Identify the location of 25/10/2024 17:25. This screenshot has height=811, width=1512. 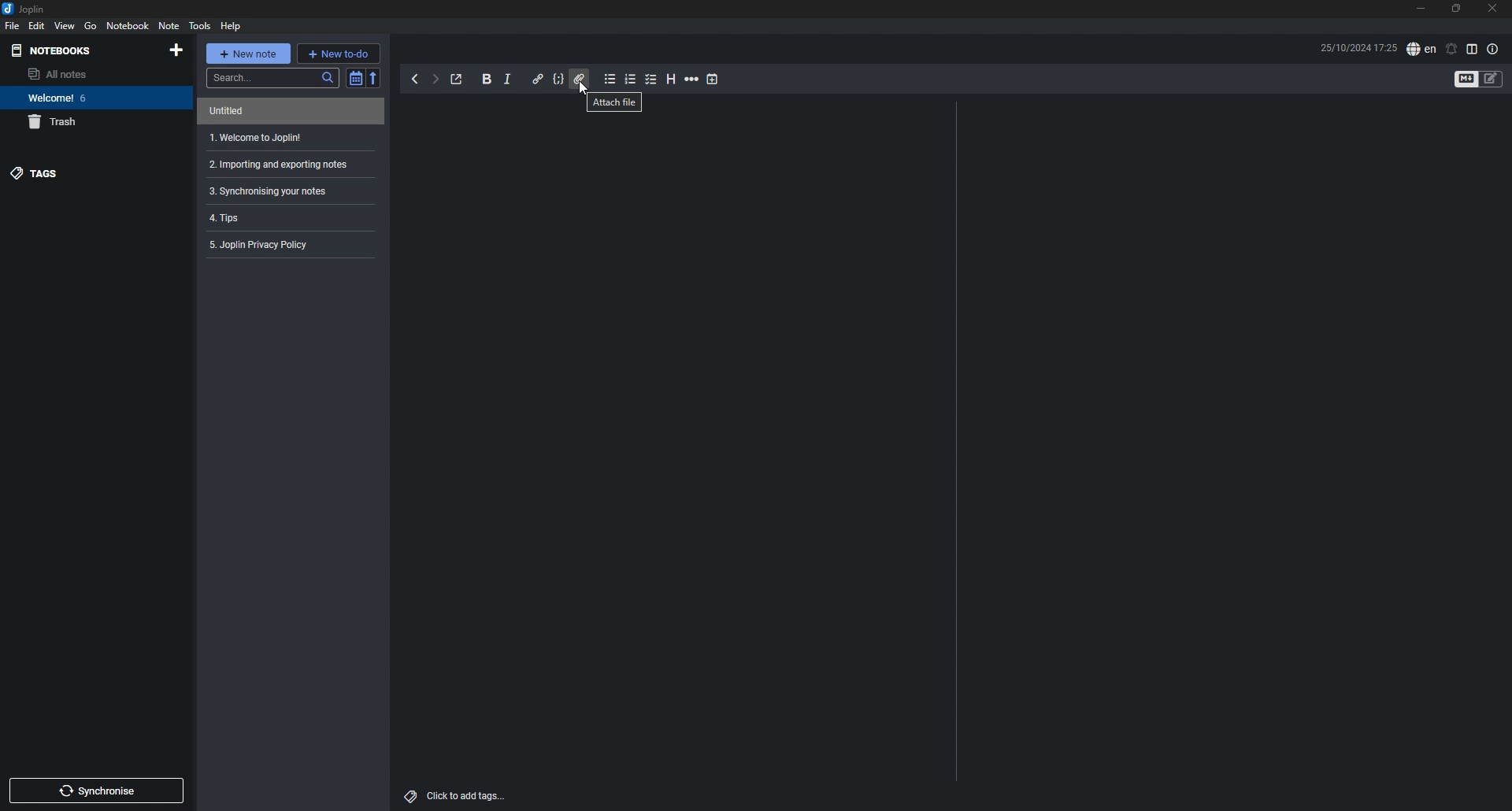
(1355, 47).